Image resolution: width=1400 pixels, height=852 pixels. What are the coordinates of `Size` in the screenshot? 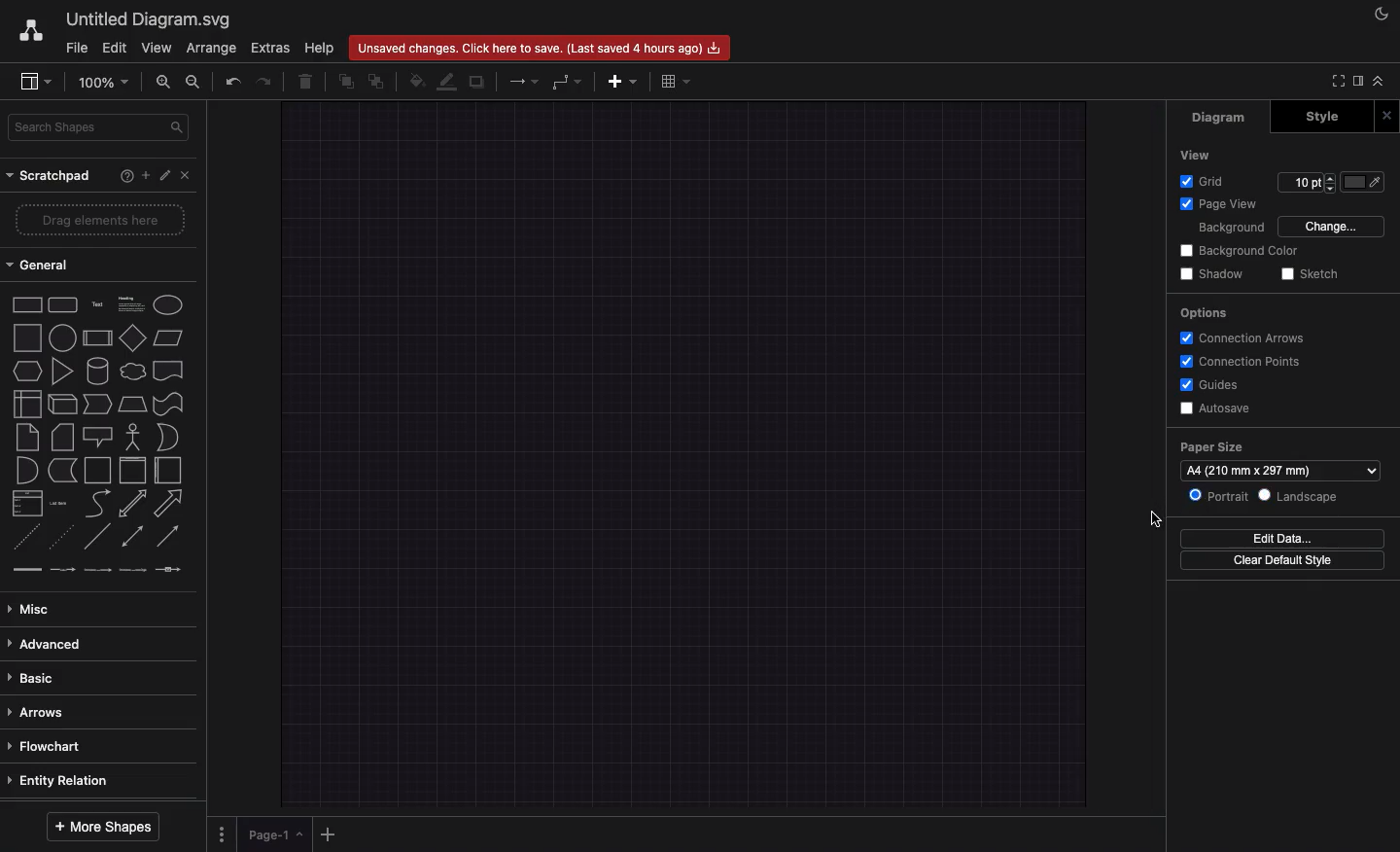 It's located at (1306, 183).